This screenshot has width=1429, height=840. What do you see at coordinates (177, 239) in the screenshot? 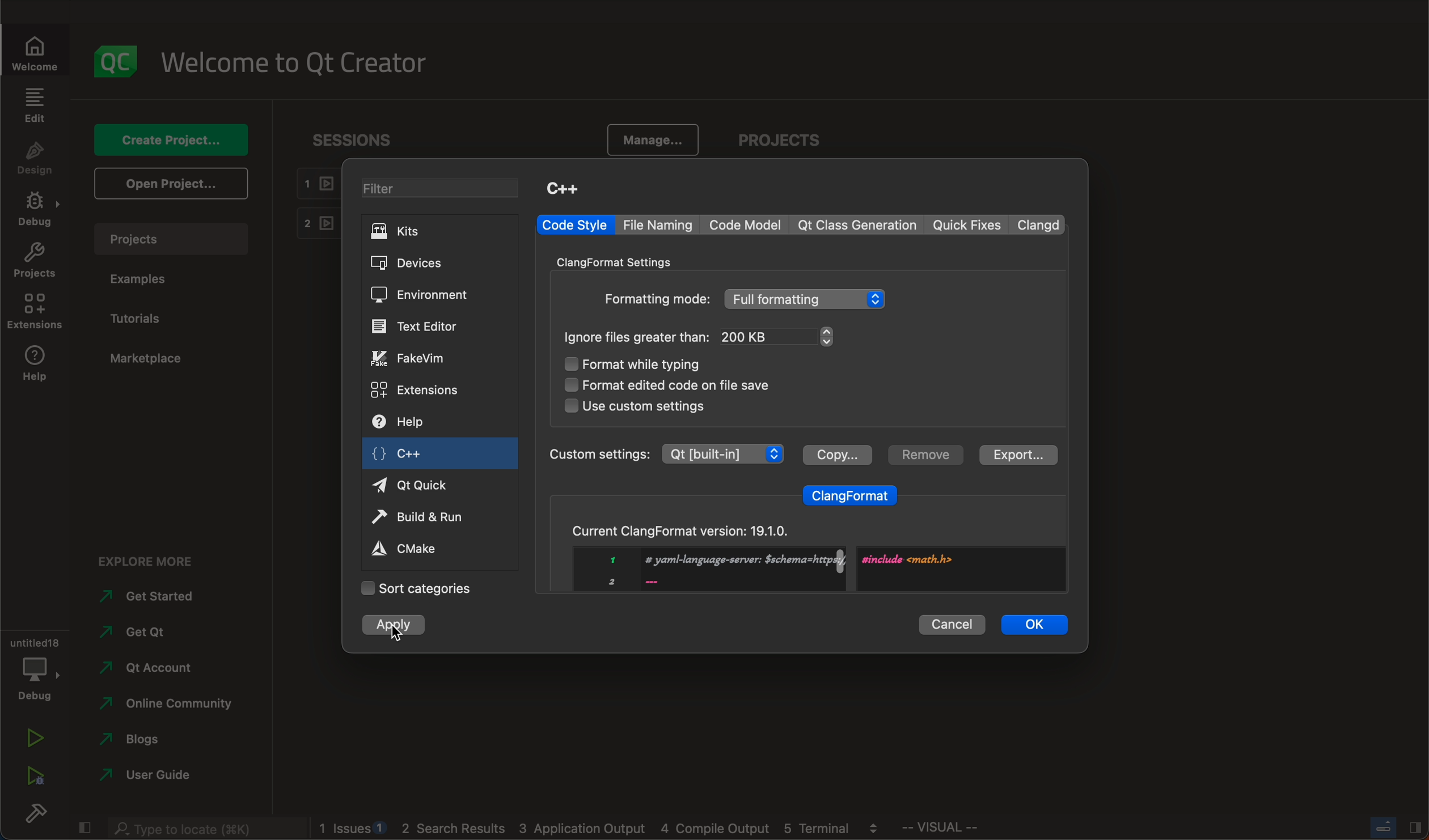
I see `projects` at bounding box center [177, 239].